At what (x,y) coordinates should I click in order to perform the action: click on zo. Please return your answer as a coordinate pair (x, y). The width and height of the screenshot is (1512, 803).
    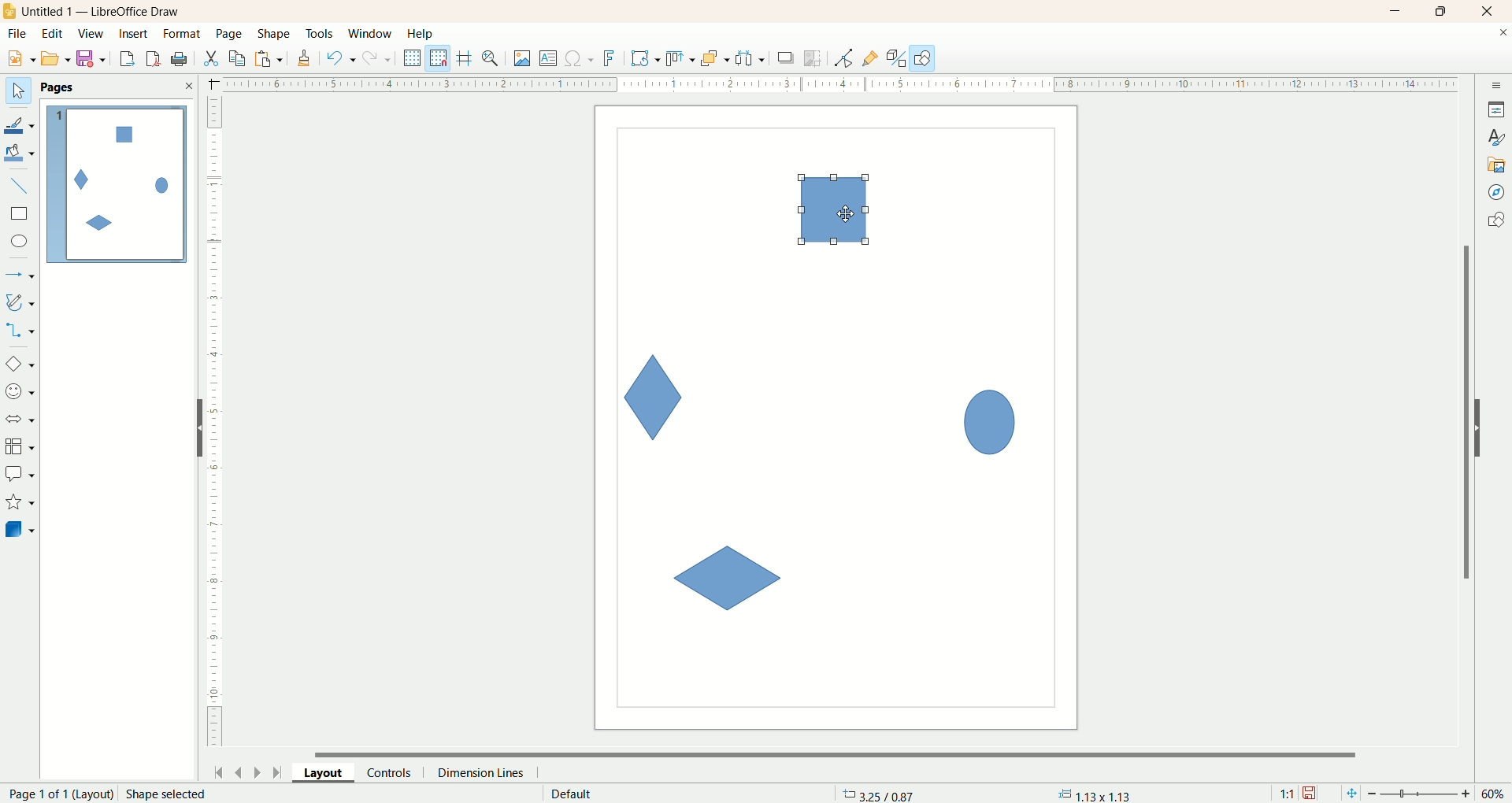
    Looking at the image, I should click on (493, 58).